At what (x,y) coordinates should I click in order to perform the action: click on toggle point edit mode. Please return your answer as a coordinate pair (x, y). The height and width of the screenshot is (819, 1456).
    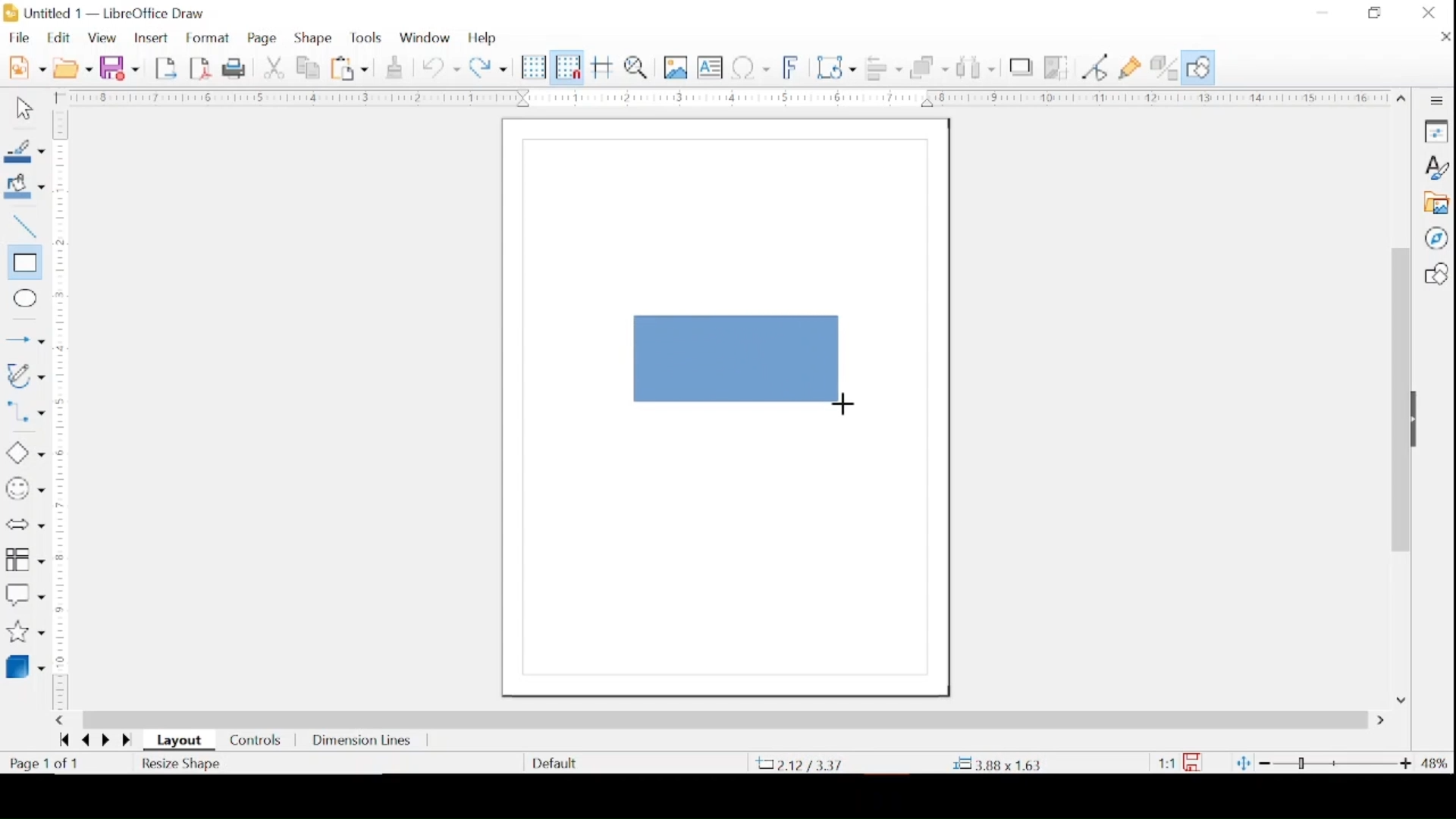
    Looking at the image, I should click on (1096, 67).